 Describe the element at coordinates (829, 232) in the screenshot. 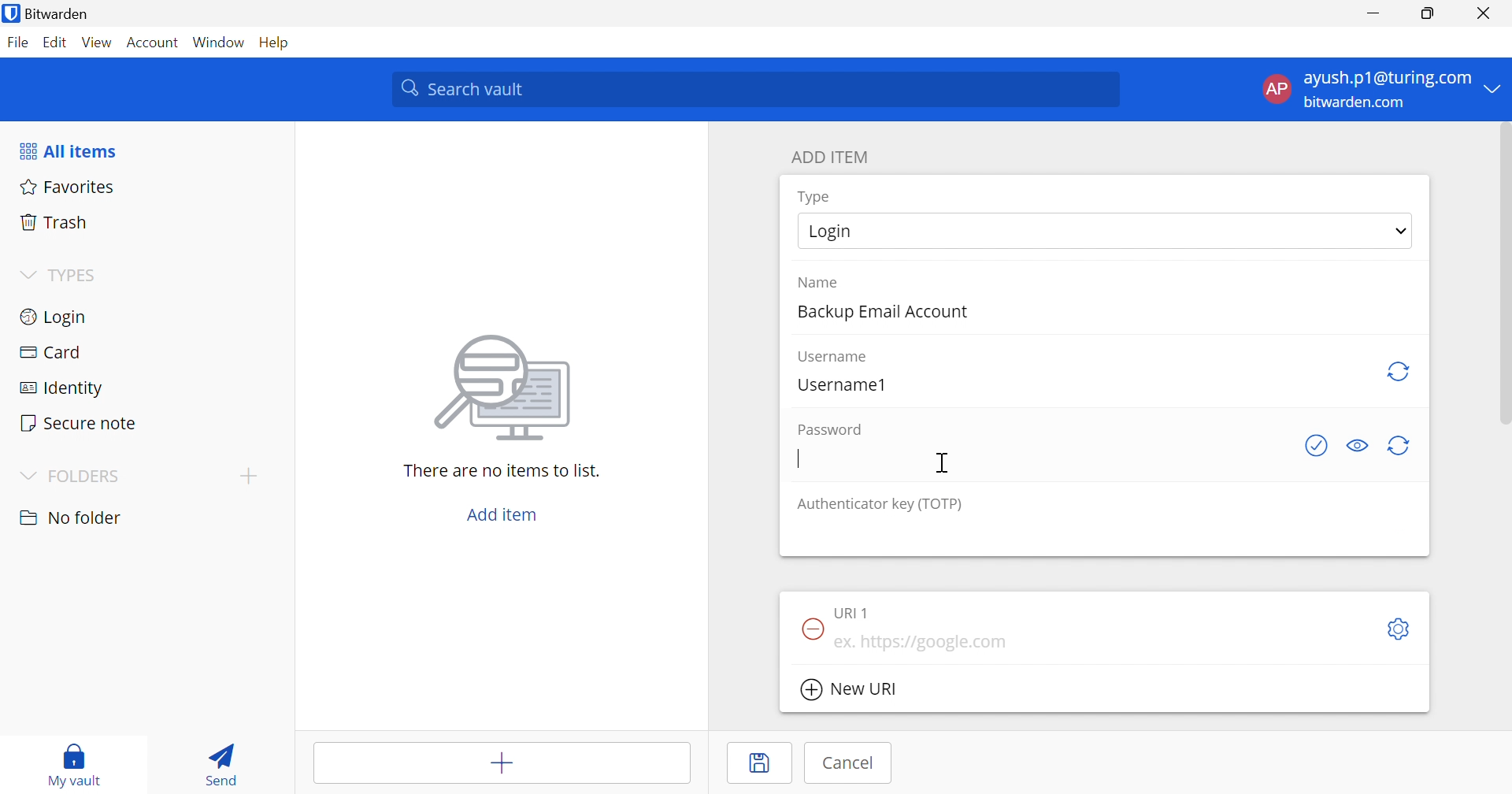

I see `Login` at that location.